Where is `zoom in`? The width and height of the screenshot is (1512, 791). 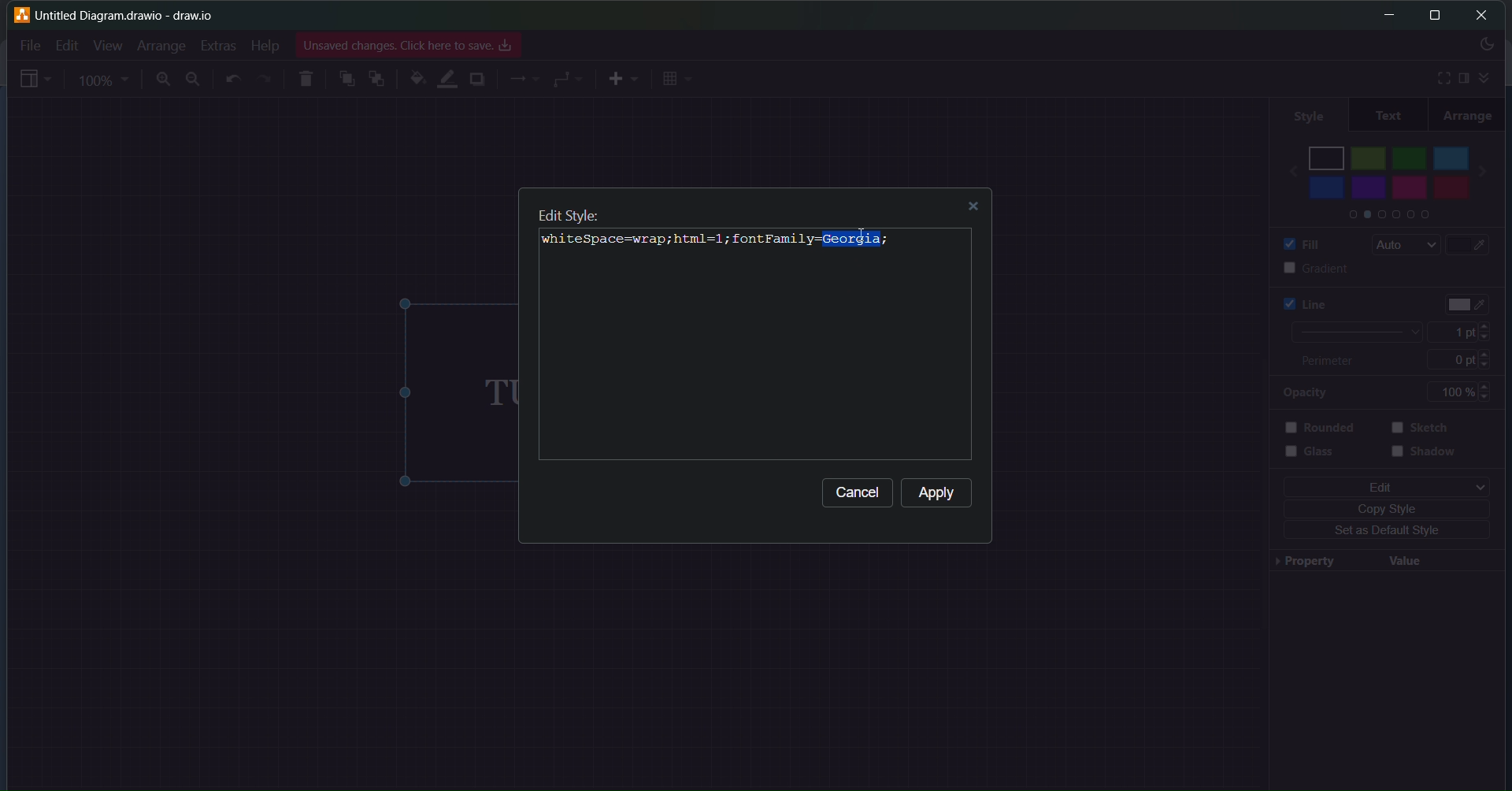 zoom in is located at coordinates (161, 80).